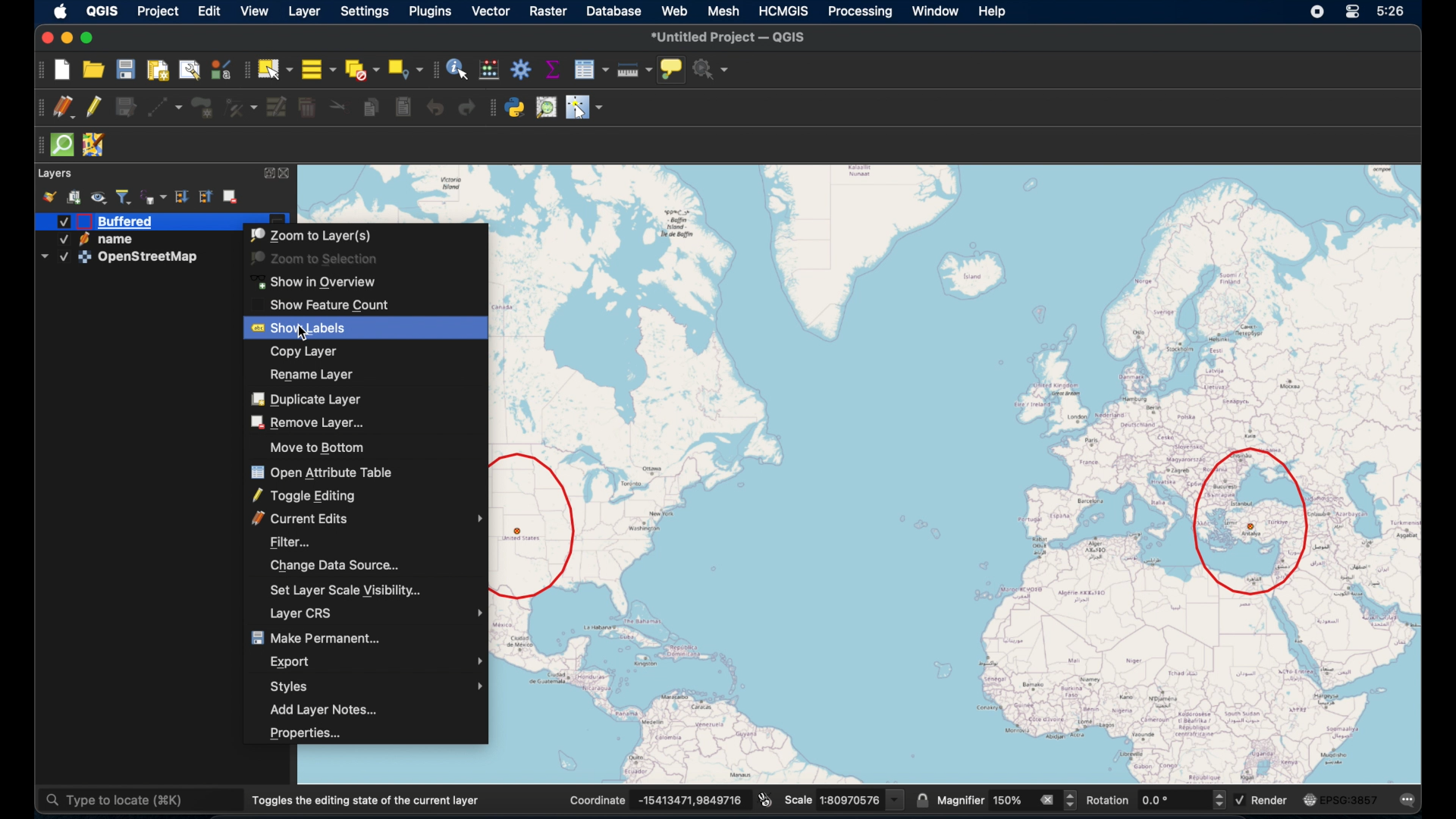  Describe the element at coordinates (1219, 800) in the screenshot. I see `increase or decrease rotation value` at that location.